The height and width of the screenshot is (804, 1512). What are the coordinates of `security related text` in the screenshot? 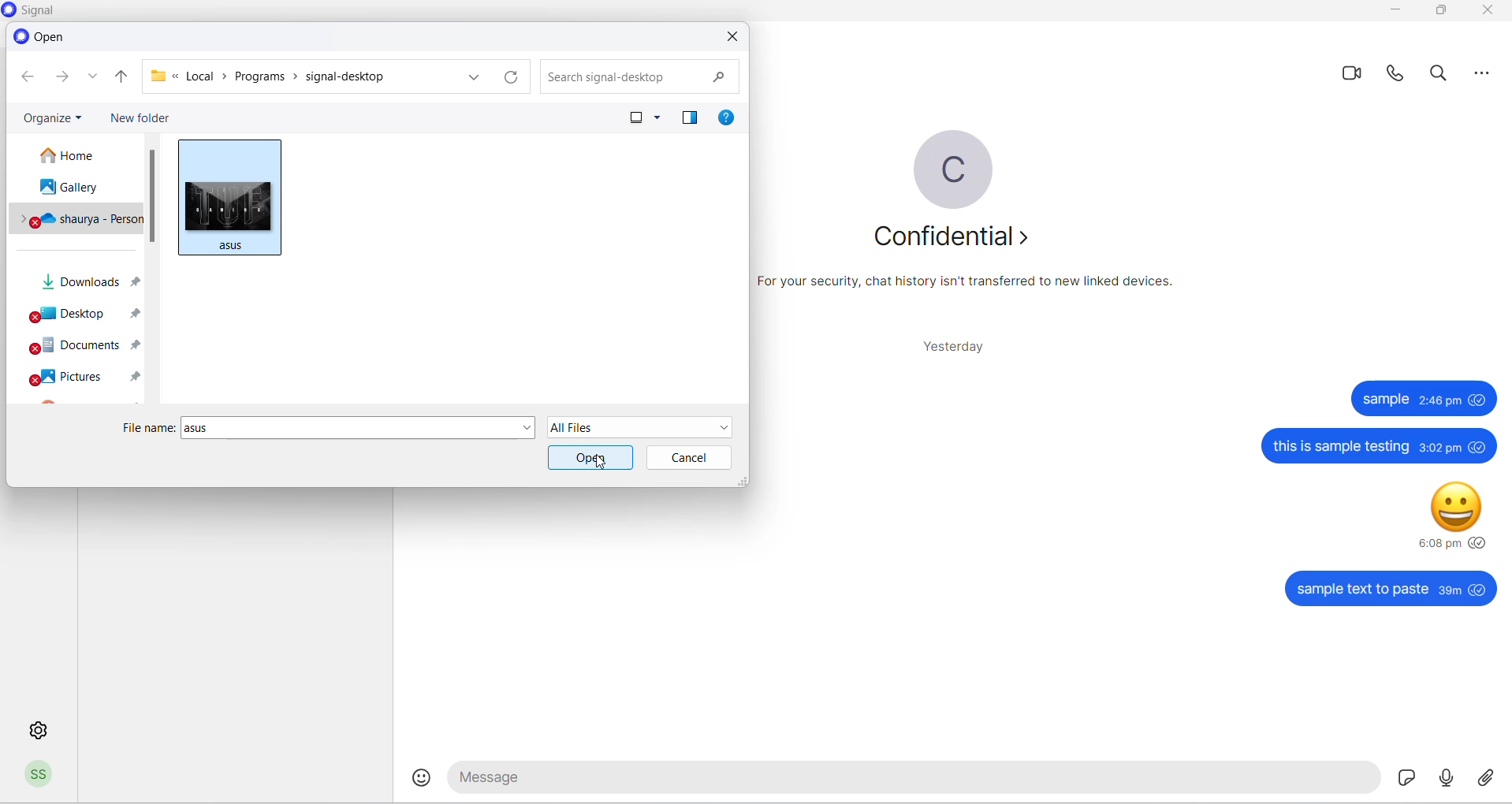 It's located at (974, 287).